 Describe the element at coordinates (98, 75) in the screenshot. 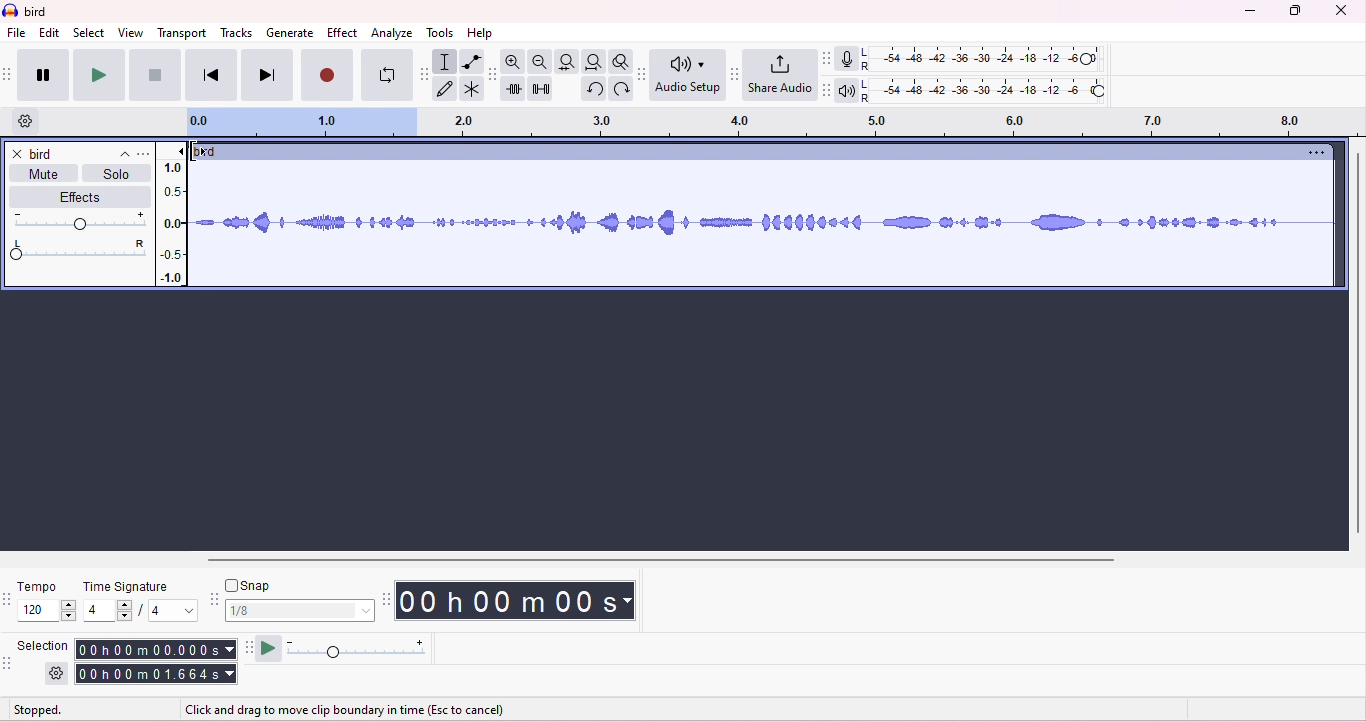

I see `play` at that location.